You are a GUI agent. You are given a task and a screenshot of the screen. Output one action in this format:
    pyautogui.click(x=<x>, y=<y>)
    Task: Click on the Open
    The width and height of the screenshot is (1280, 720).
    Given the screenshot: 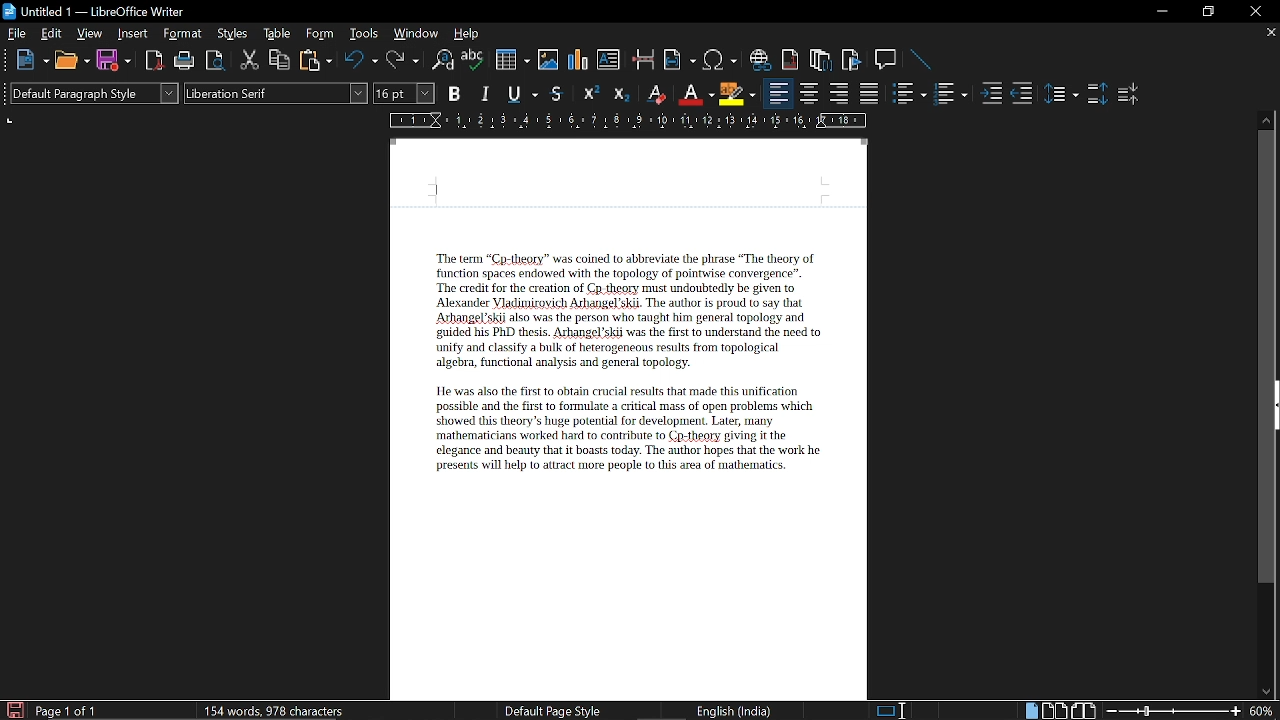 What is the action you would take?
    pyautogui.click(x=72, y=61)
    